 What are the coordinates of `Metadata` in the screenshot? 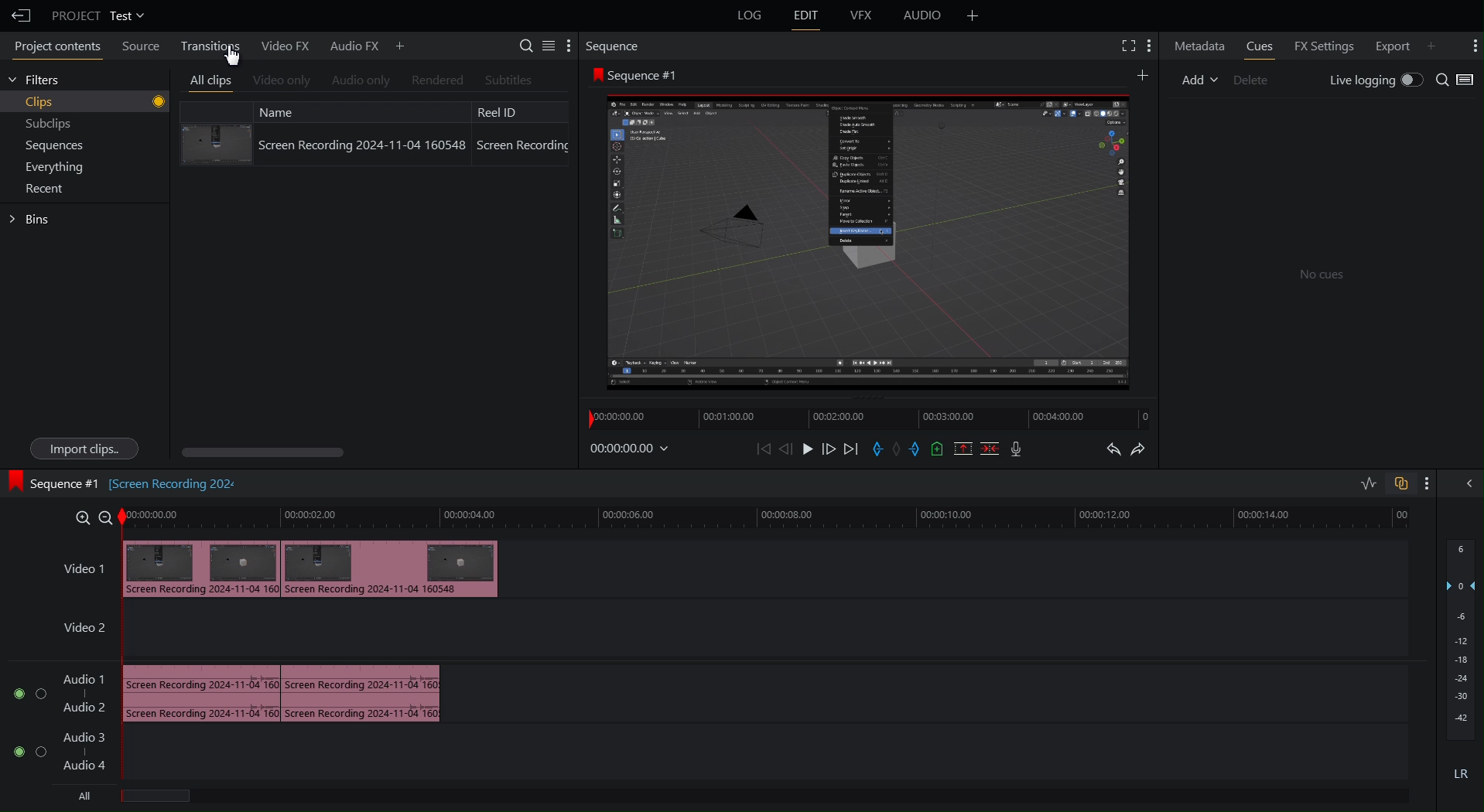 It's located at (1198, 46).